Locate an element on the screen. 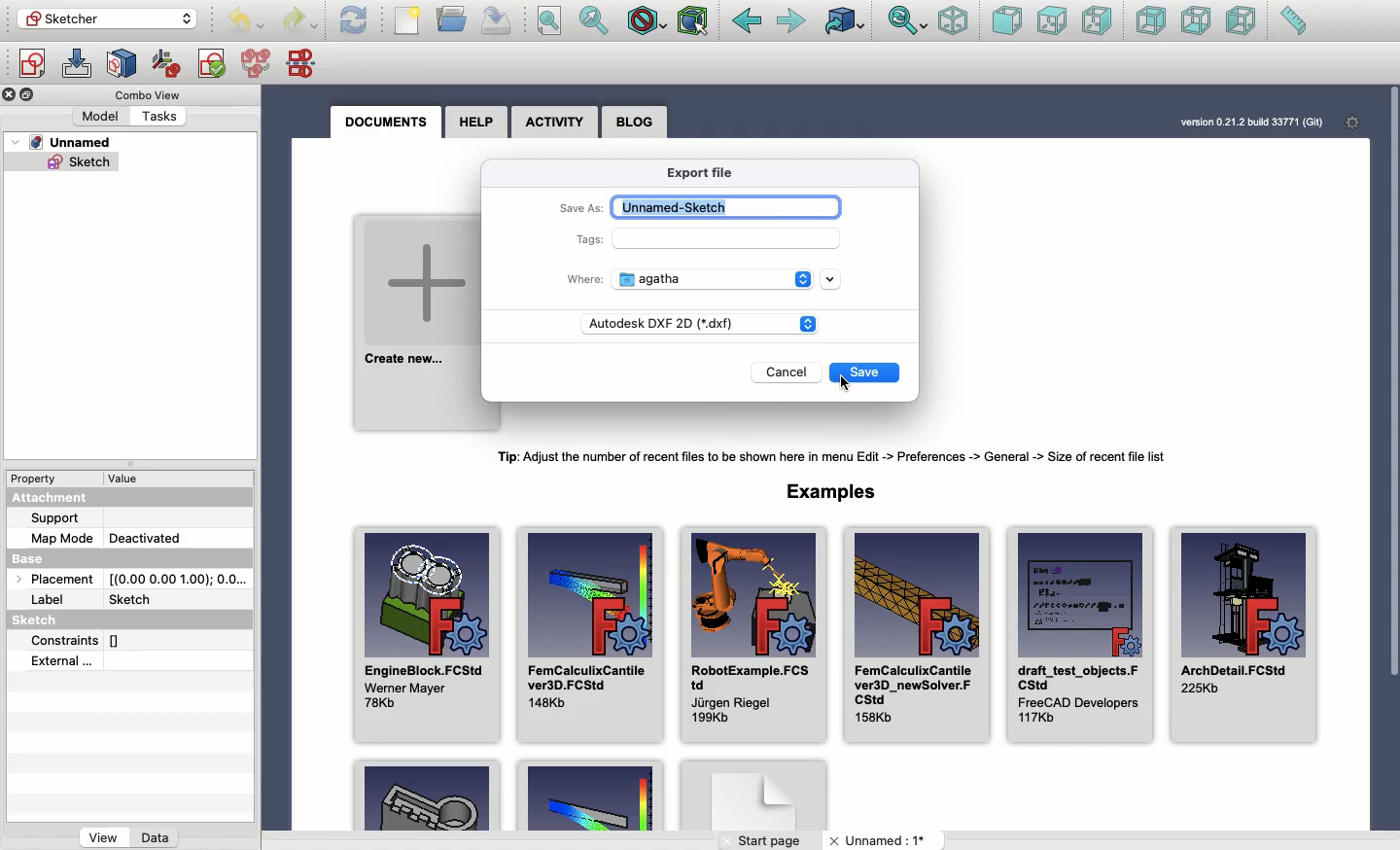 This screenshot has height=850, width=1400. Sync view is located at coordinates (906, 21).